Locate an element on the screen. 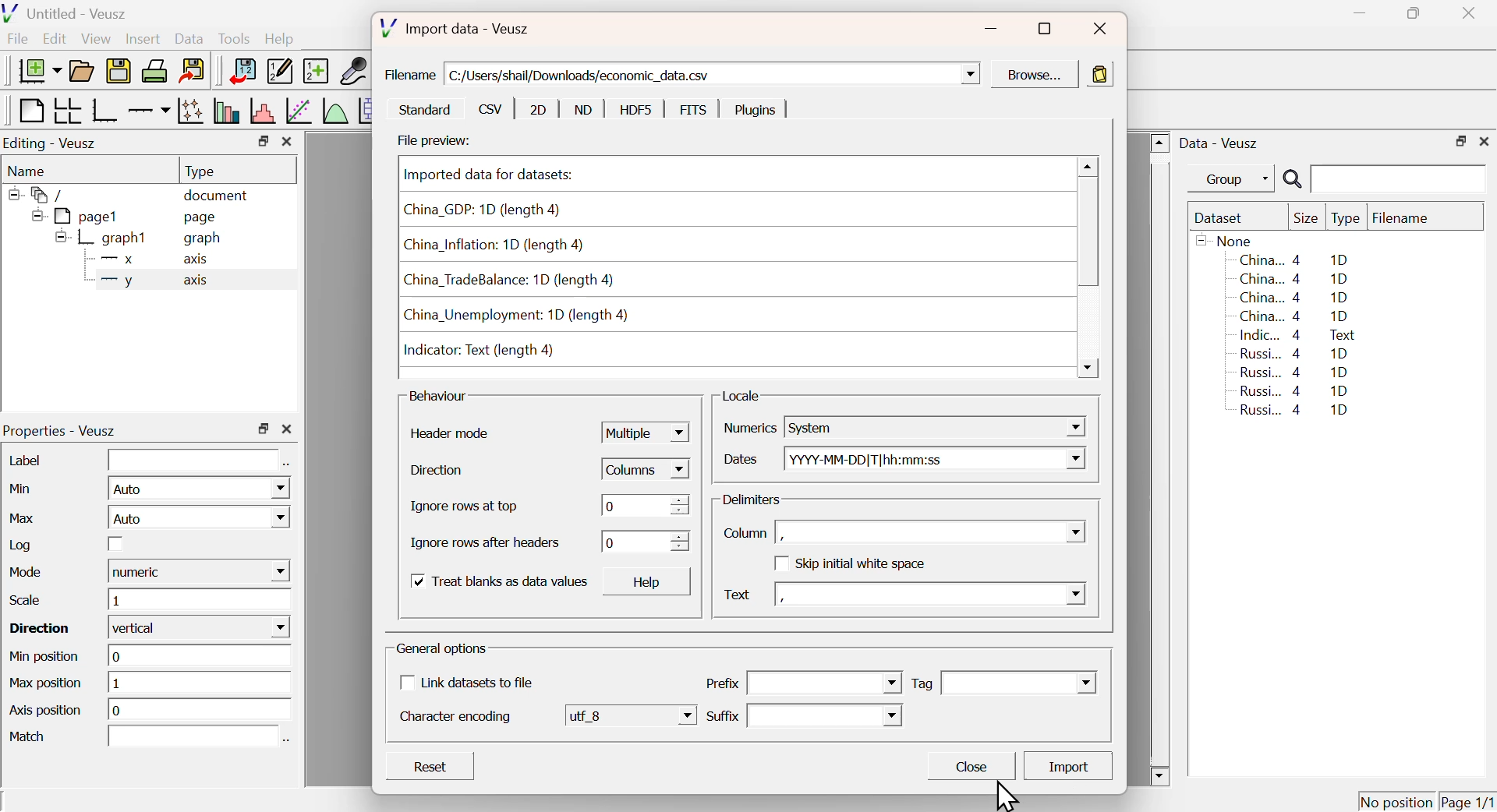 This screenshot has width=1497, height=812. Imported data for datasets: is located at coordinates (490, 175).